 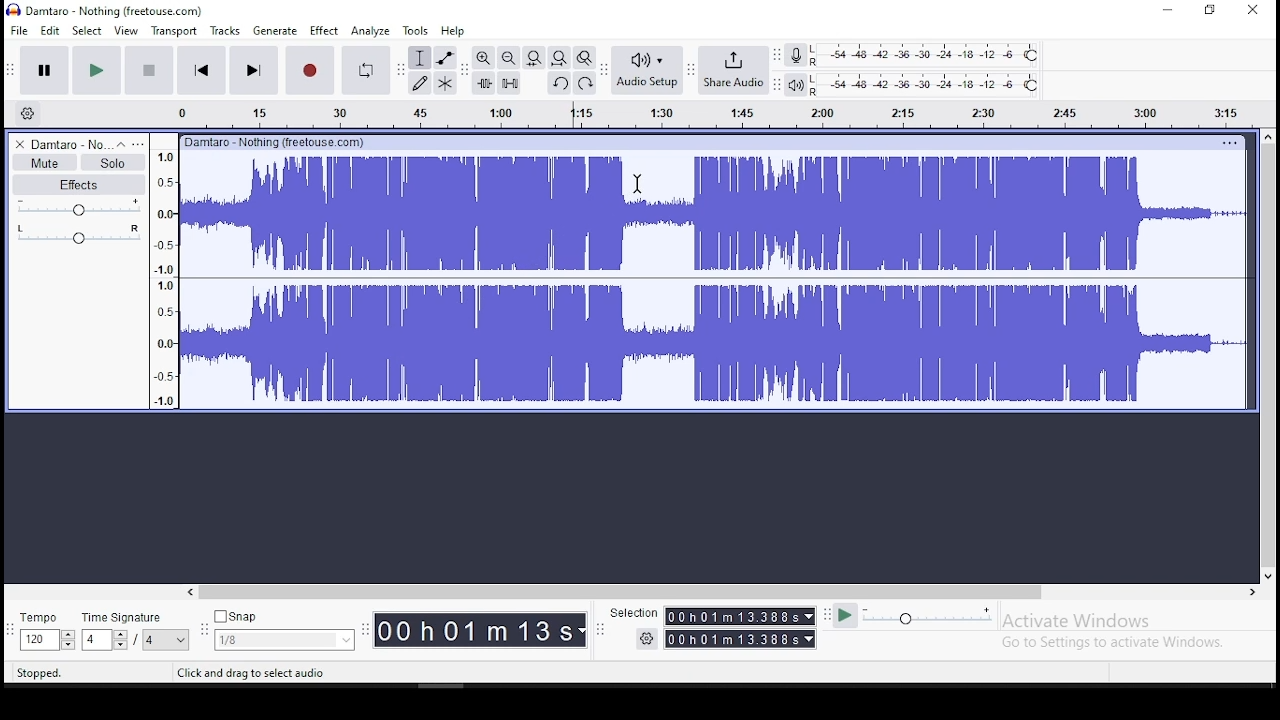 I want to click on menu, so click(x=167, y=639).